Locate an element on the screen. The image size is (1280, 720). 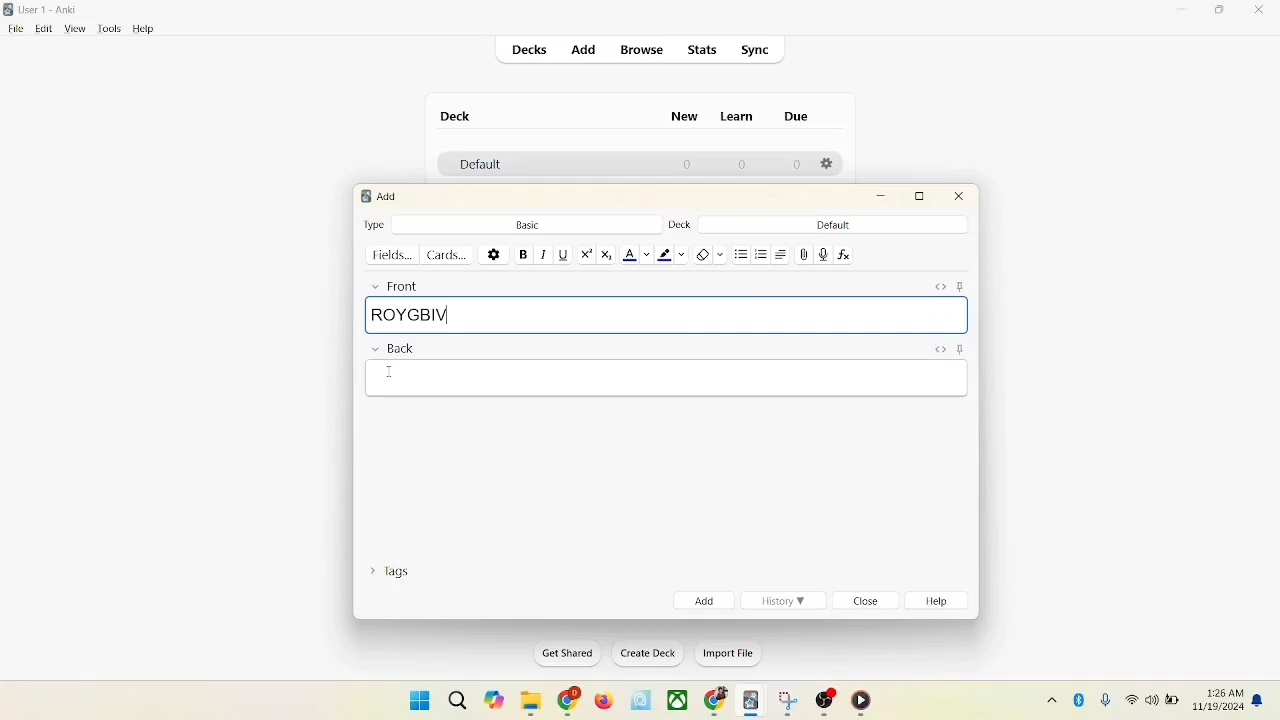
audio is located at coordinates (824, 254).